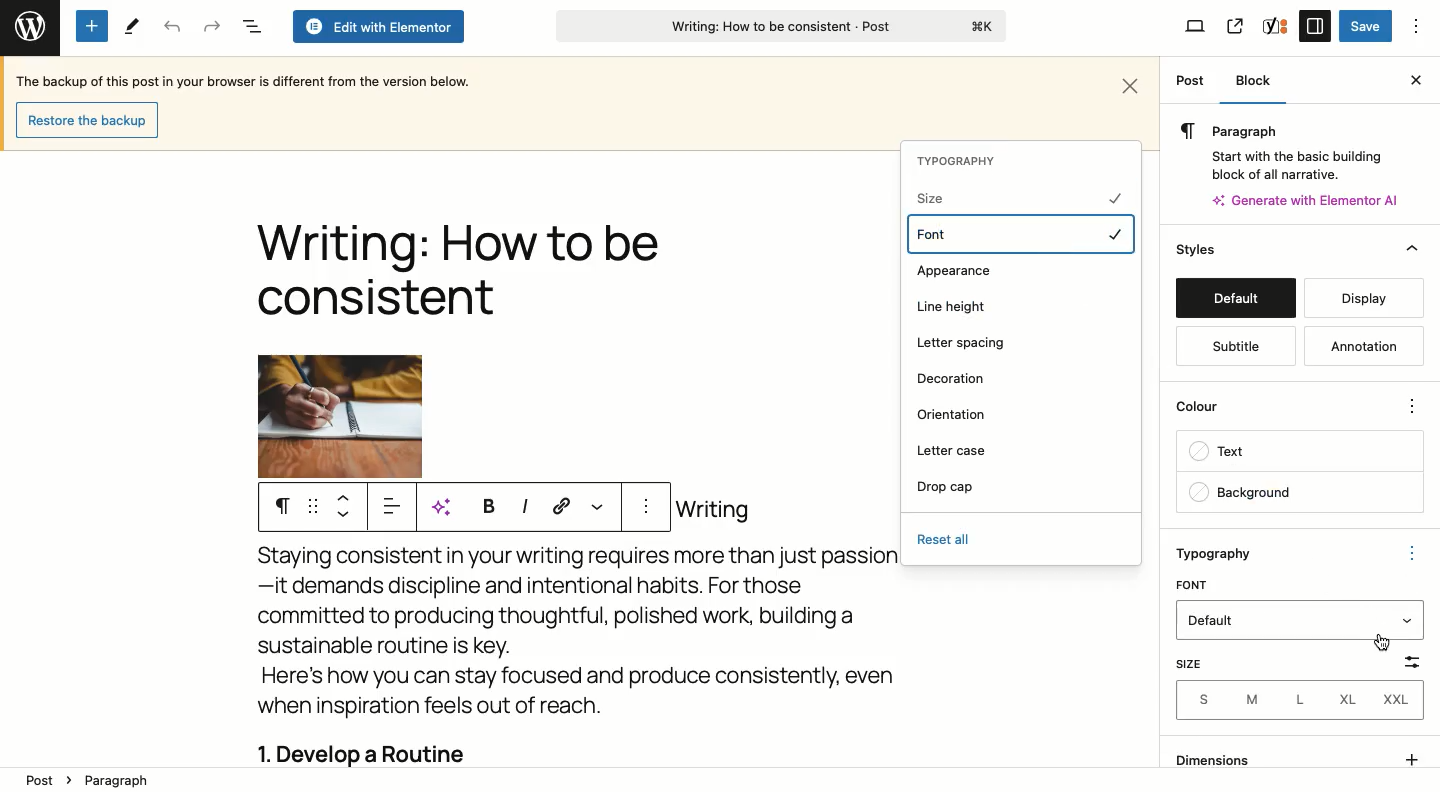 This screenshot has width=1440, height=792. I want to click on Scale, so click(1412, 583).